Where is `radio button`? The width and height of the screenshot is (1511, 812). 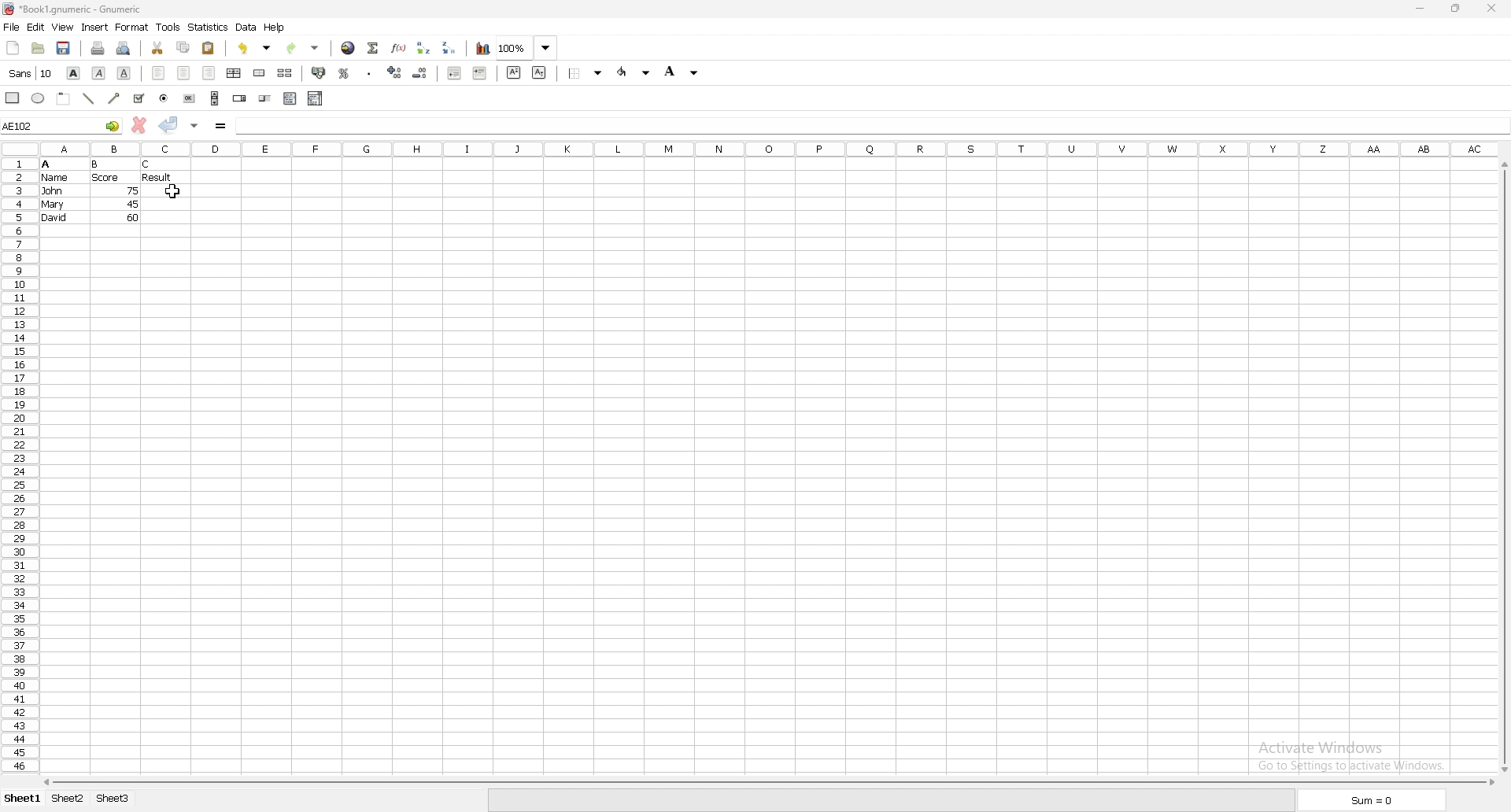 radio button is located at coordinates (164, 98).